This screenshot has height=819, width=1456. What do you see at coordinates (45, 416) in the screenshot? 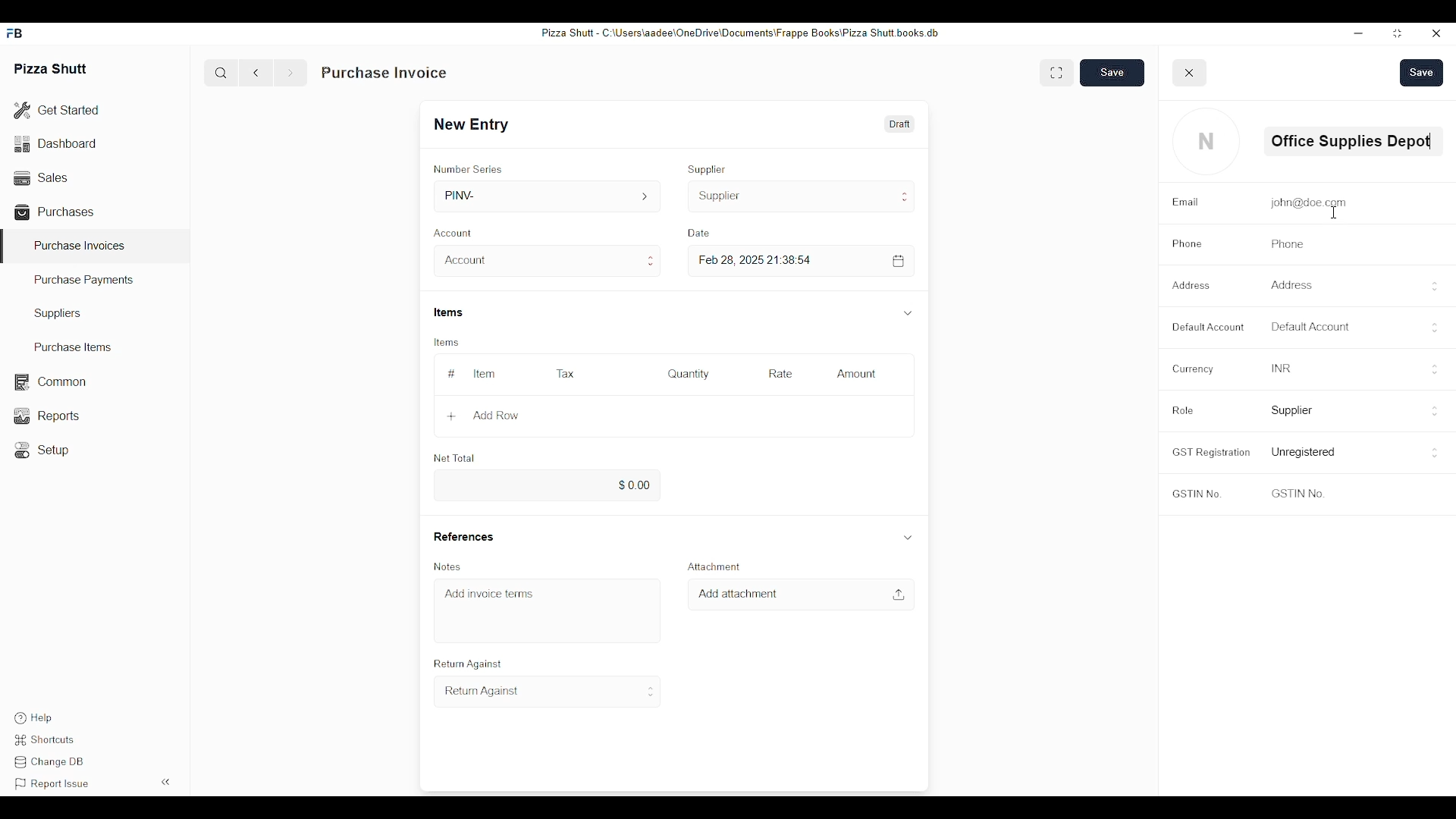
I see `Reports` at bounding box center [45, 416].